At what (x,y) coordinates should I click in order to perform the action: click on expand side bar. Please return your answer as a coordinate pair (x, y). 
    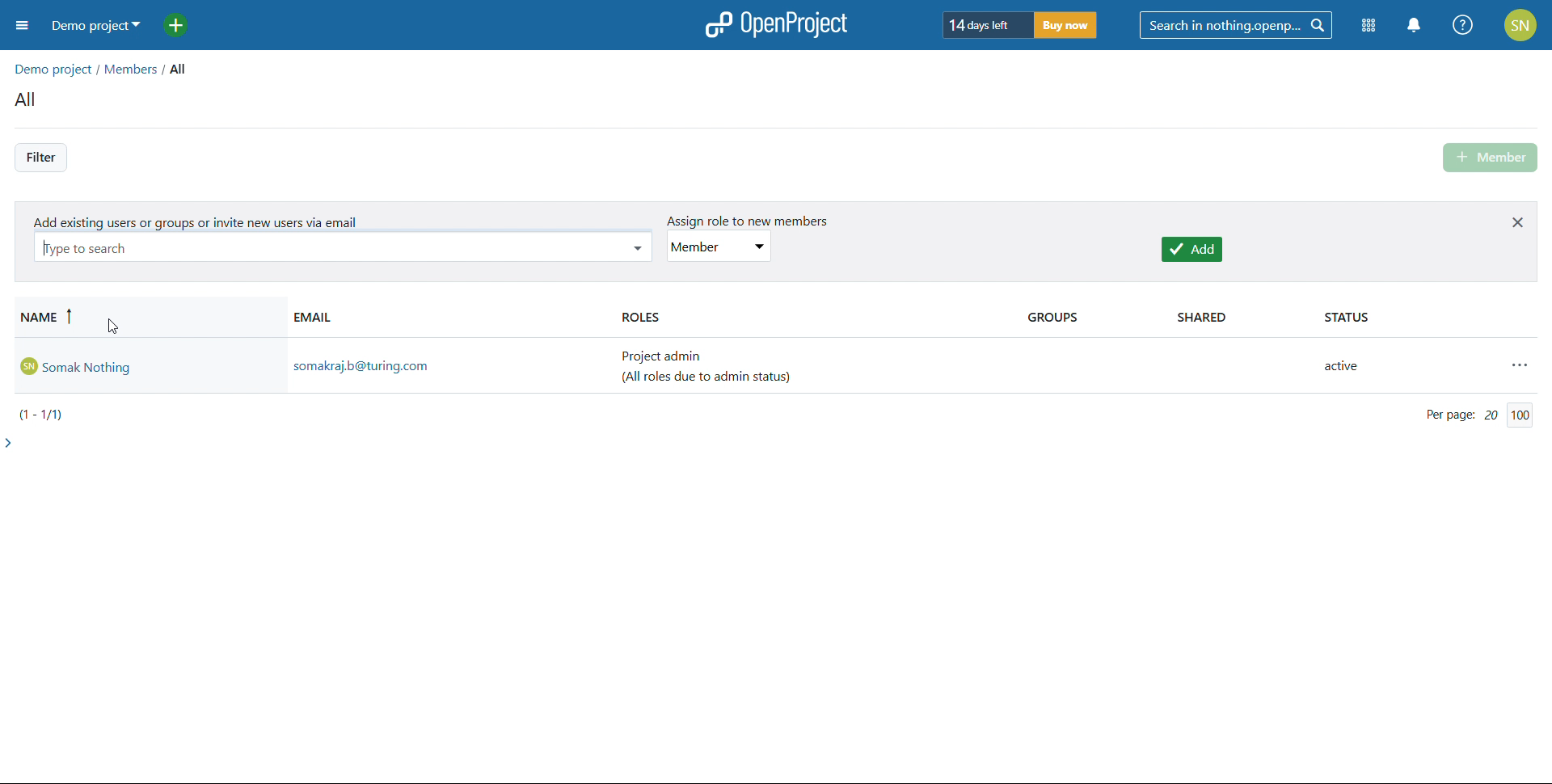
    Looking at the image, I should click on (11, 442).